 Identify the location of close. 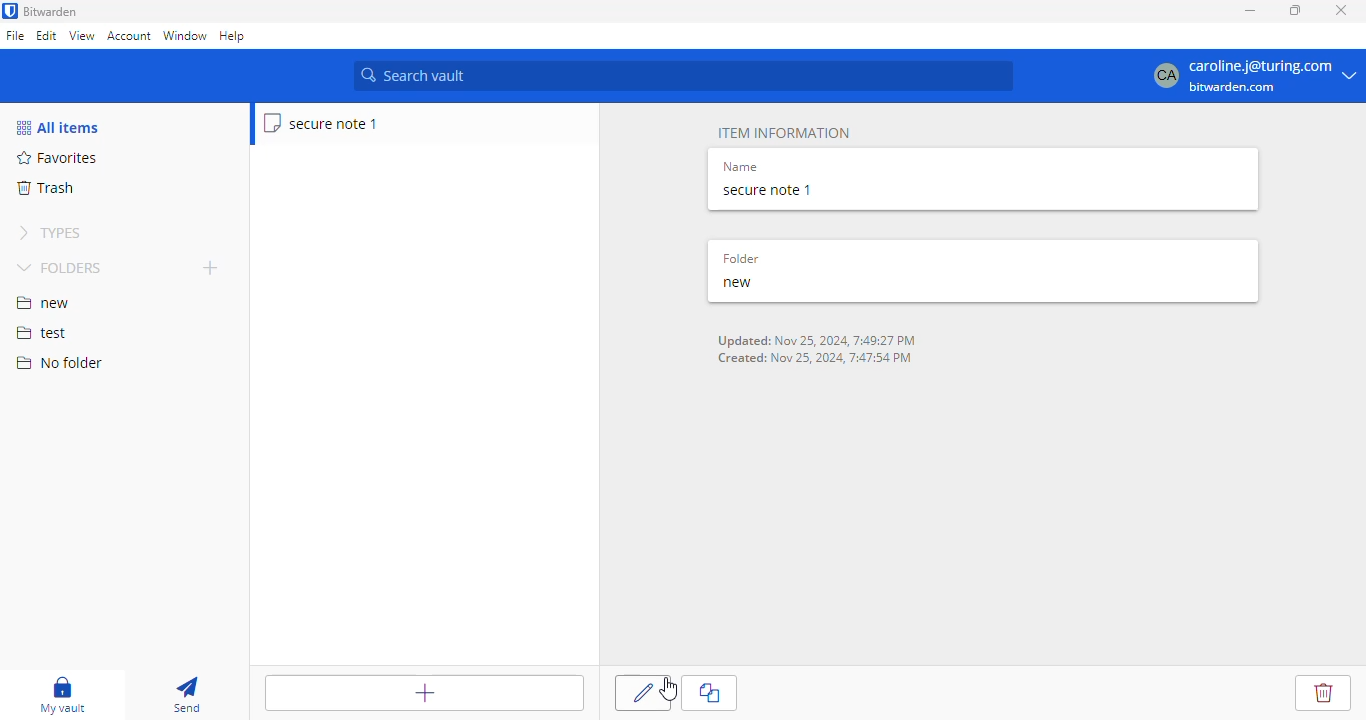
(1342, 9).